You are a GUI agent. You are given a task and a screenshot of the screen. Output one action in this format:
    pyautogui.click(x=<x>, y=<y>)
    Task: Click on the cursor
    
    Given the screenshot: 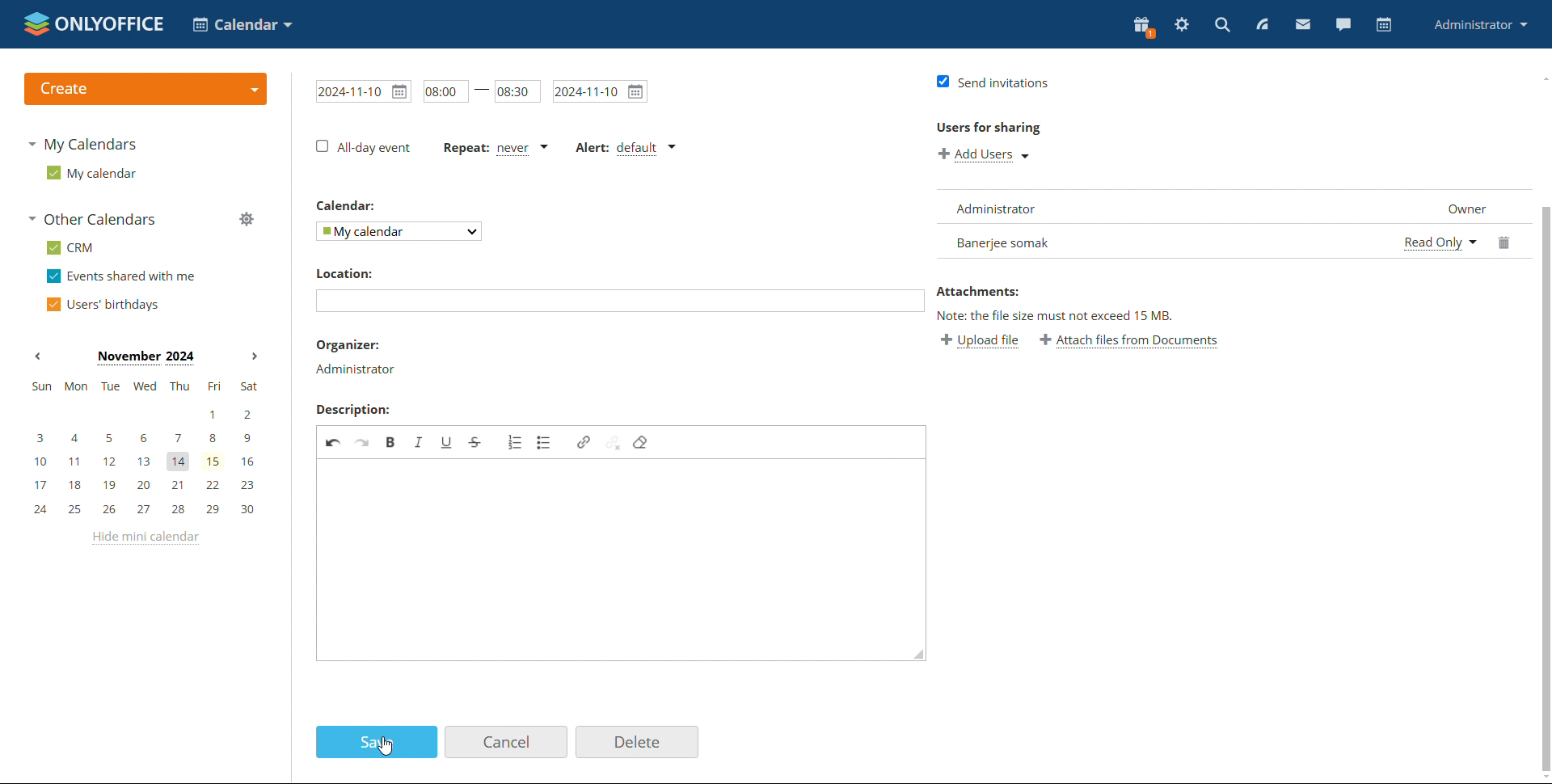 What is the action you would take?
    pyautogui.click(x=387, y=746)
    